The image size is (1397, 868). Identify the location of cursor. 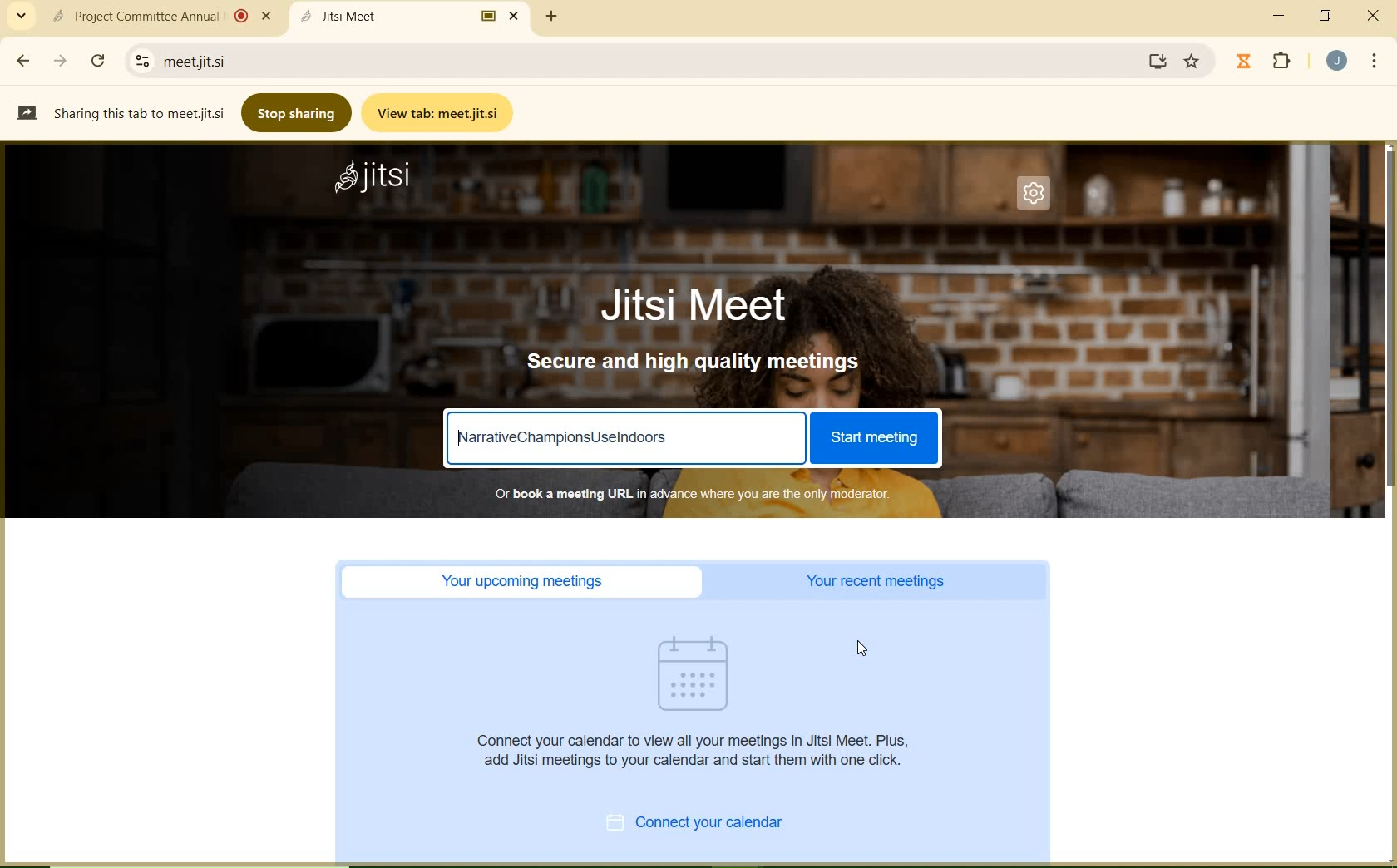
(860, 649).